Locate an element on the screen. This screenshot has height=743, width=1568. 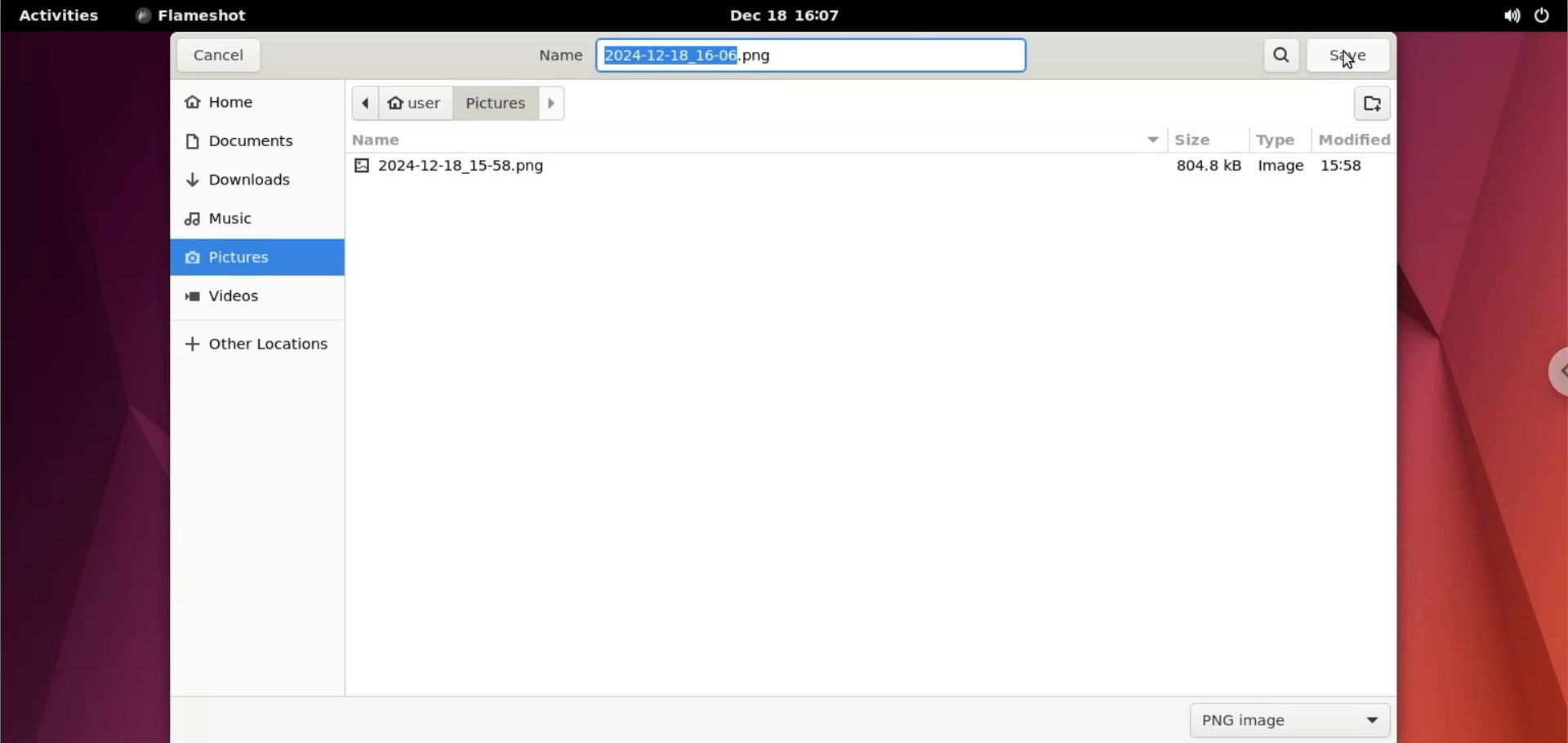
search button is located at coordinates (1281, 55).